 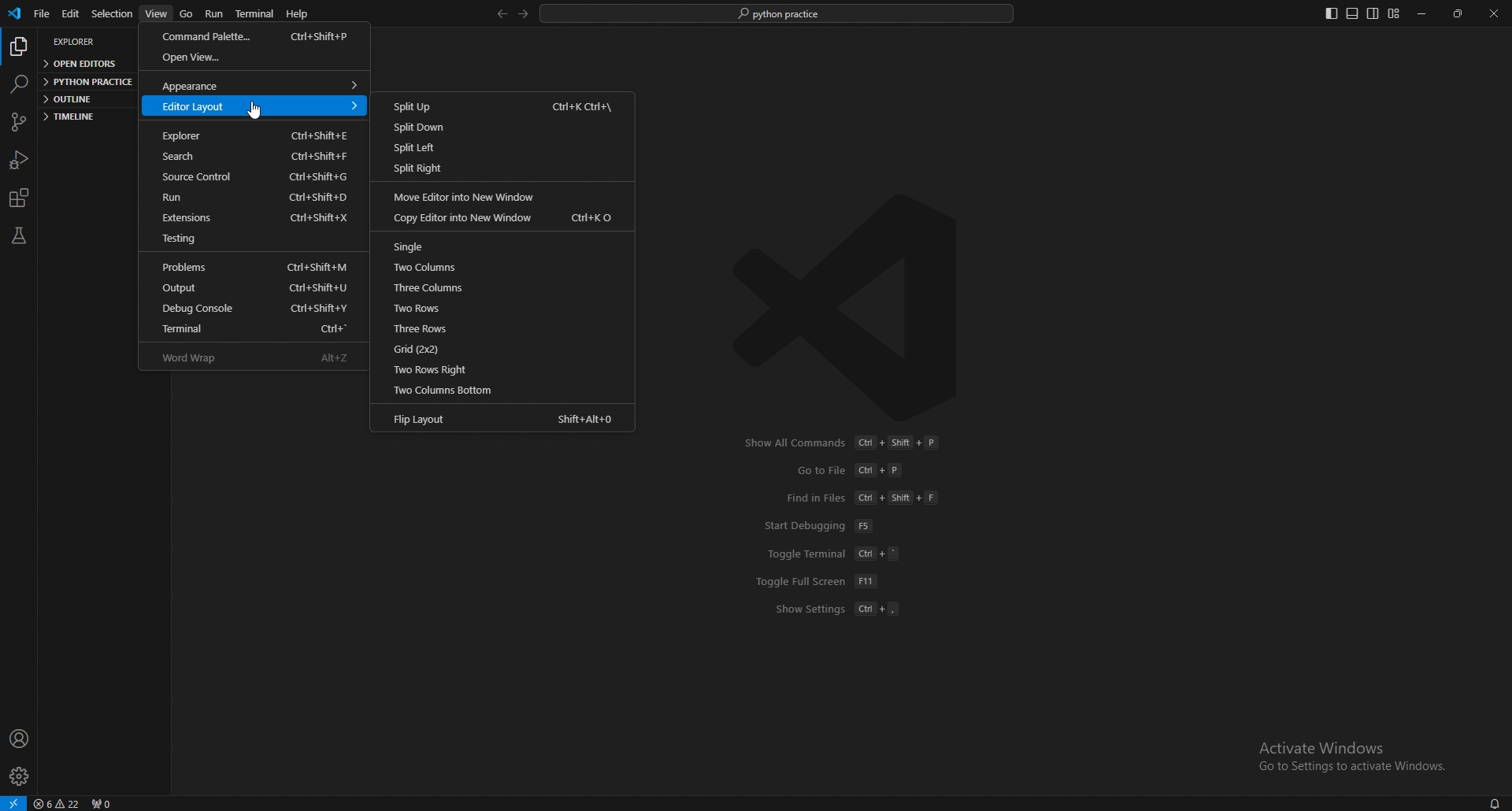 What do you see at coordinates (249, 218) in the screenshot?
I see `extensions ctrl+shift+x` at bounding box center [249, 218].